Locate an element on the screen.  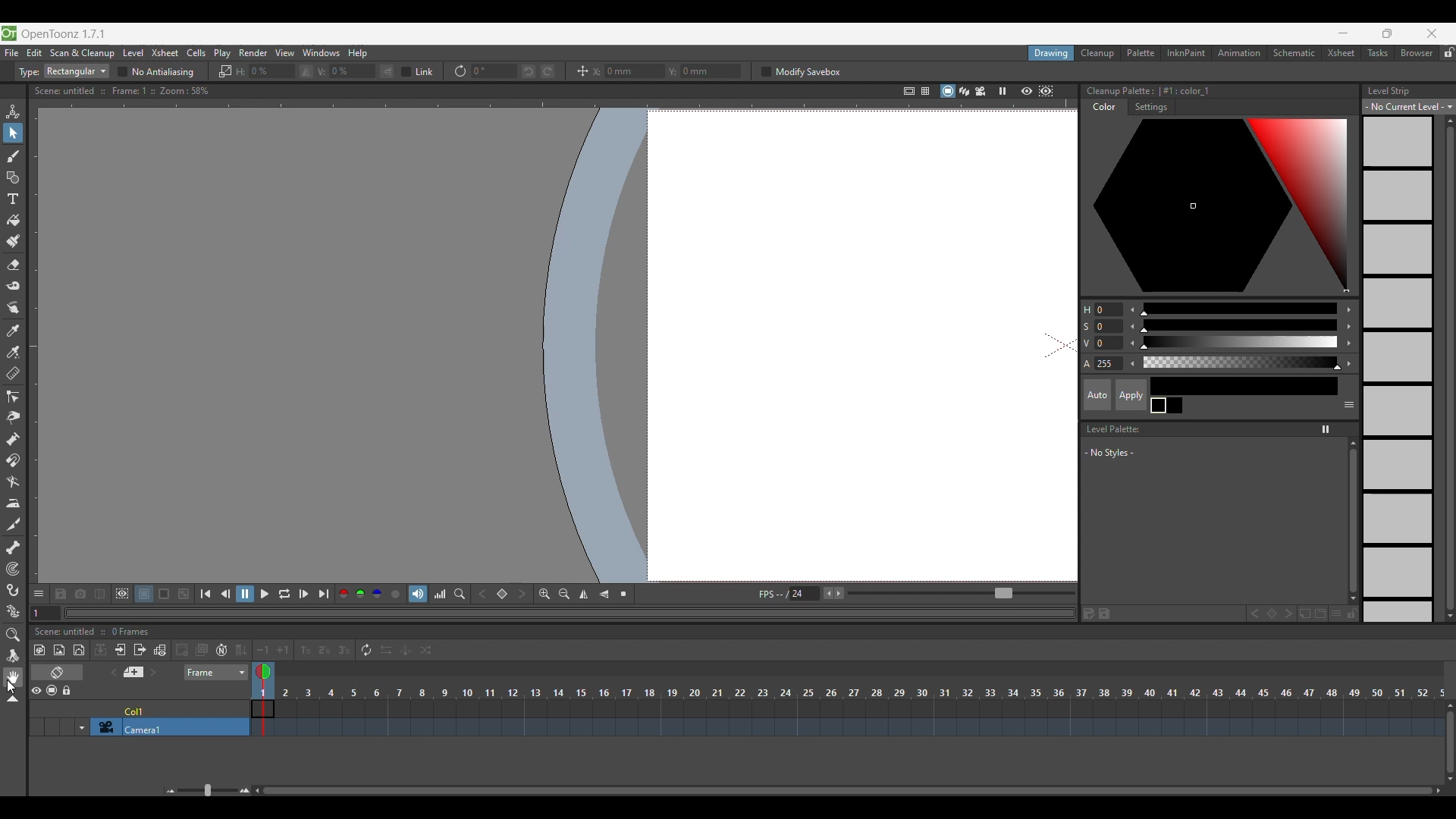
Frame sheet options is located at coordinates (216, 673).